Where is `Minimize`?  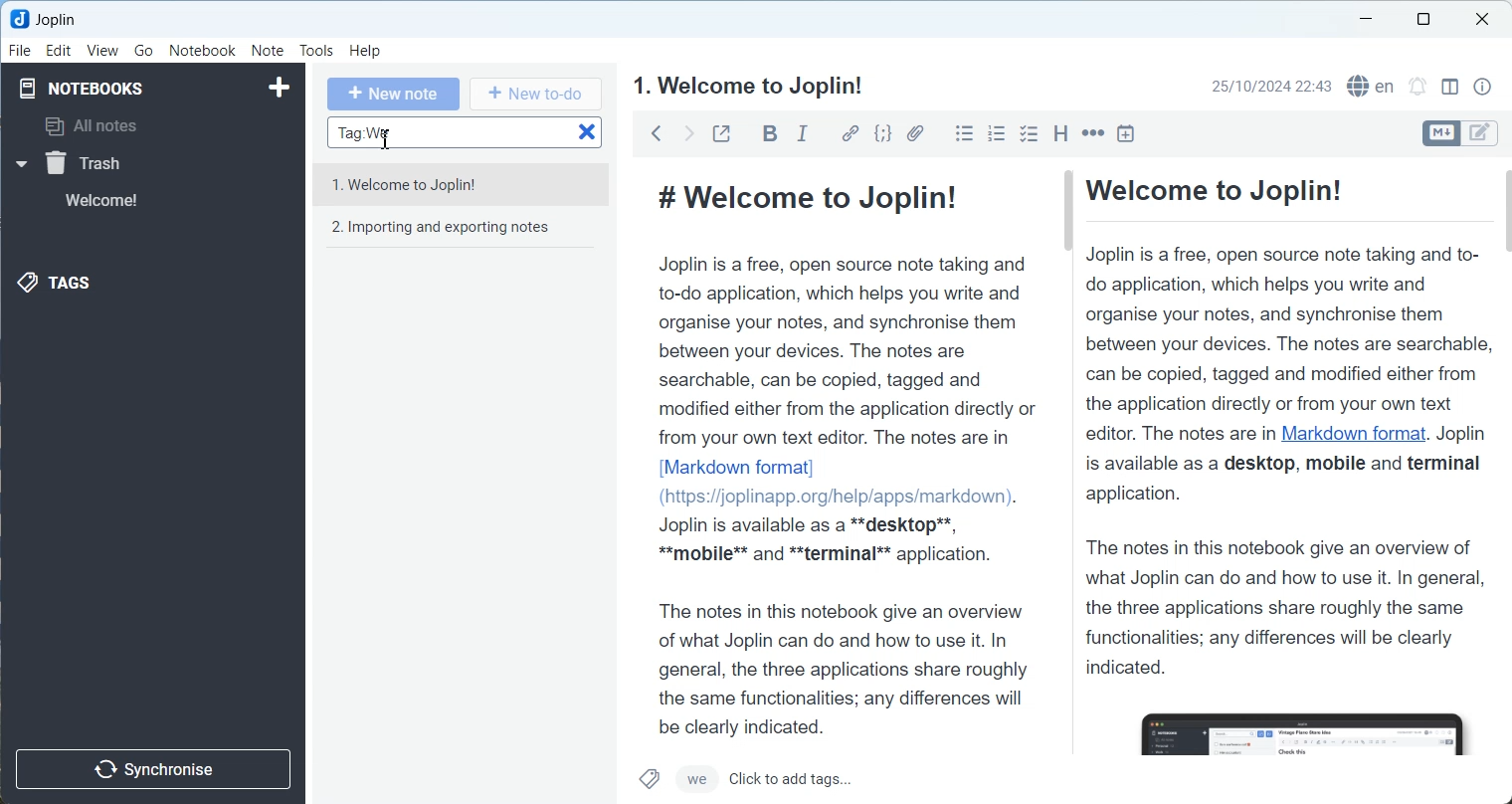 Minimize is located at coordinates (1365, 19).